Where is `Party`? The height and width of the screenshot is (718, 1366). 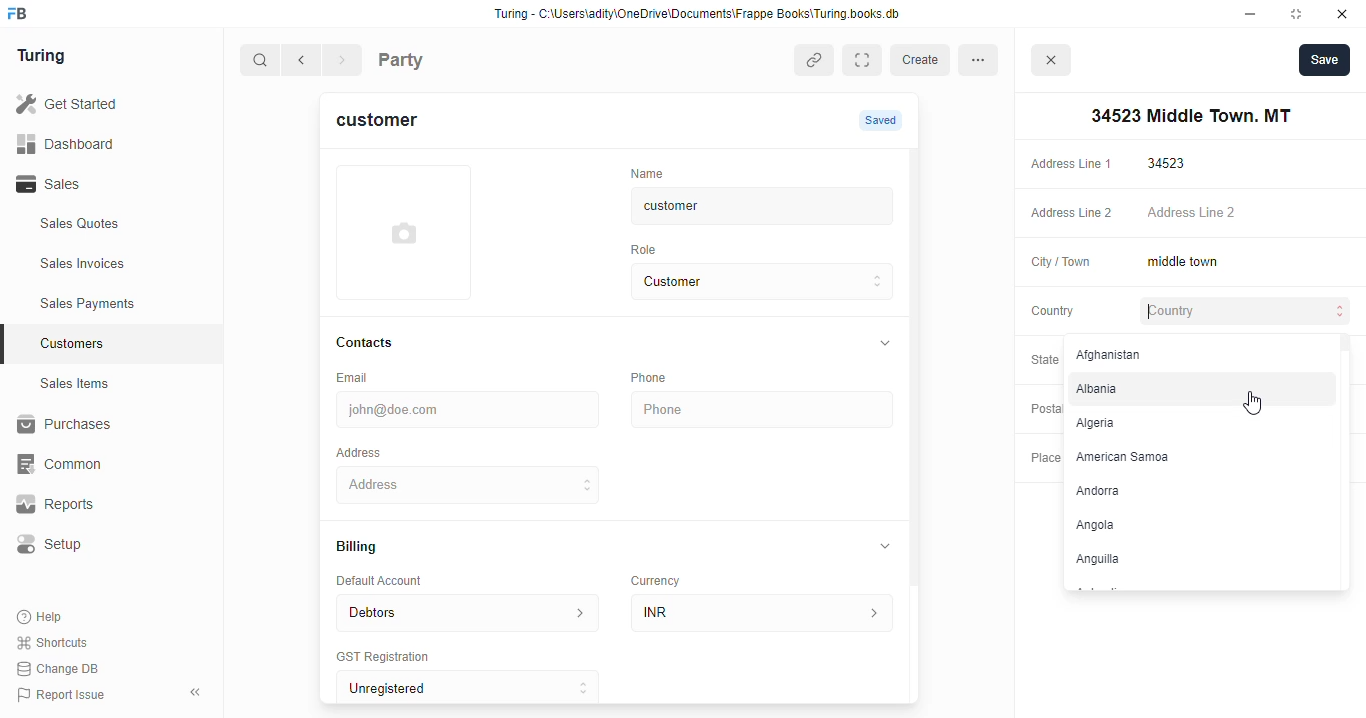 Party is located at coordinates (442, 58).